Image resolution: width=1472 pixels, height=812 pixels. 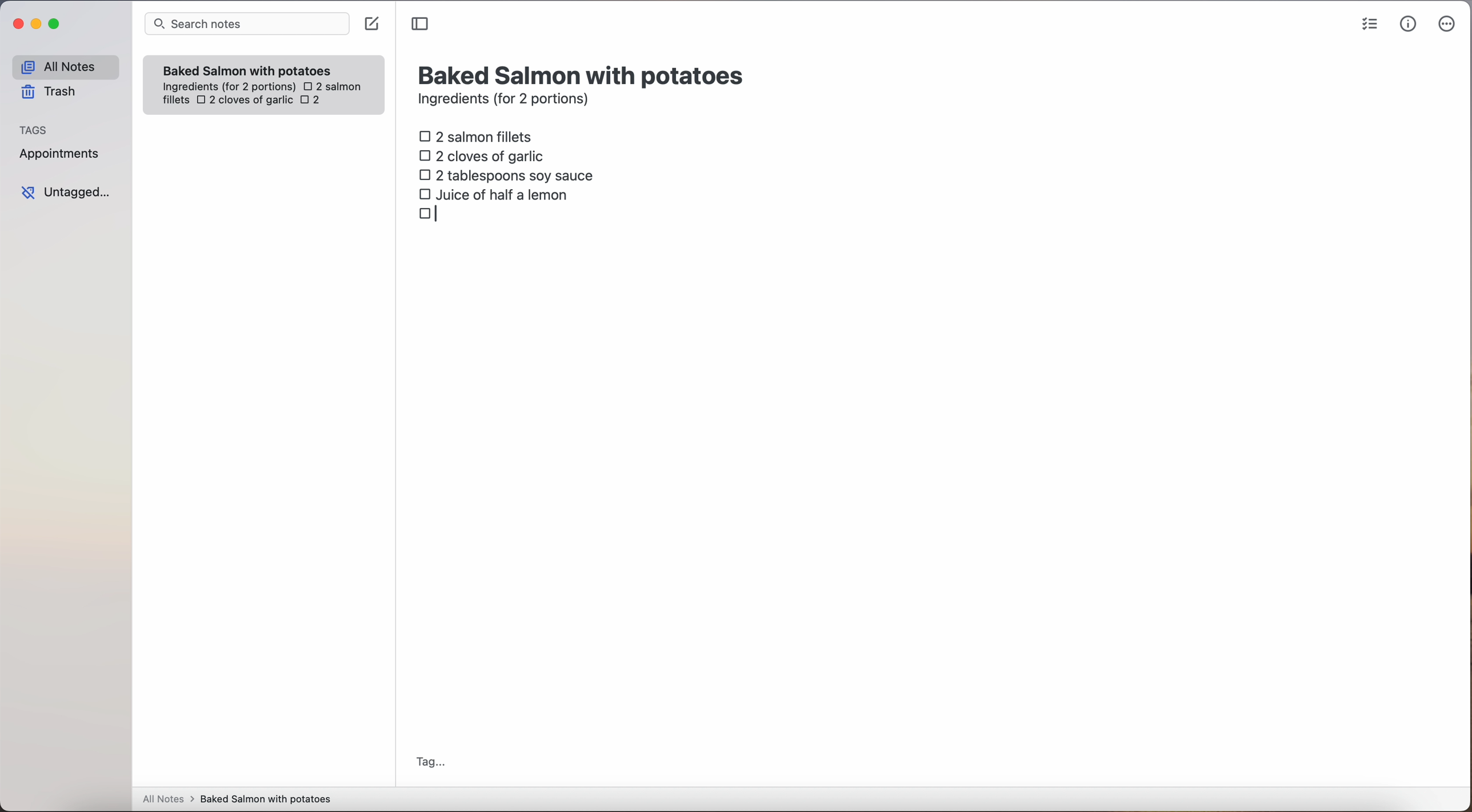 What do you see at coordinates (65, 66) in the screenshot?
I see `all notes` at bounding box center [65, 66].